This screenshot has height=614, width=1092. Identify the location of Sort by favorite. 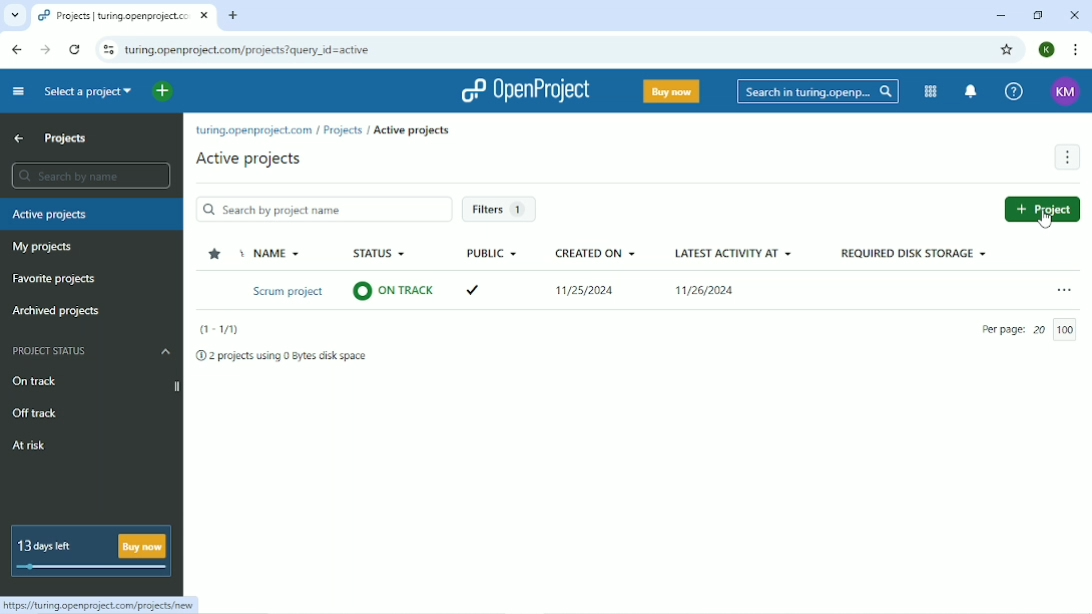
(216, 253).